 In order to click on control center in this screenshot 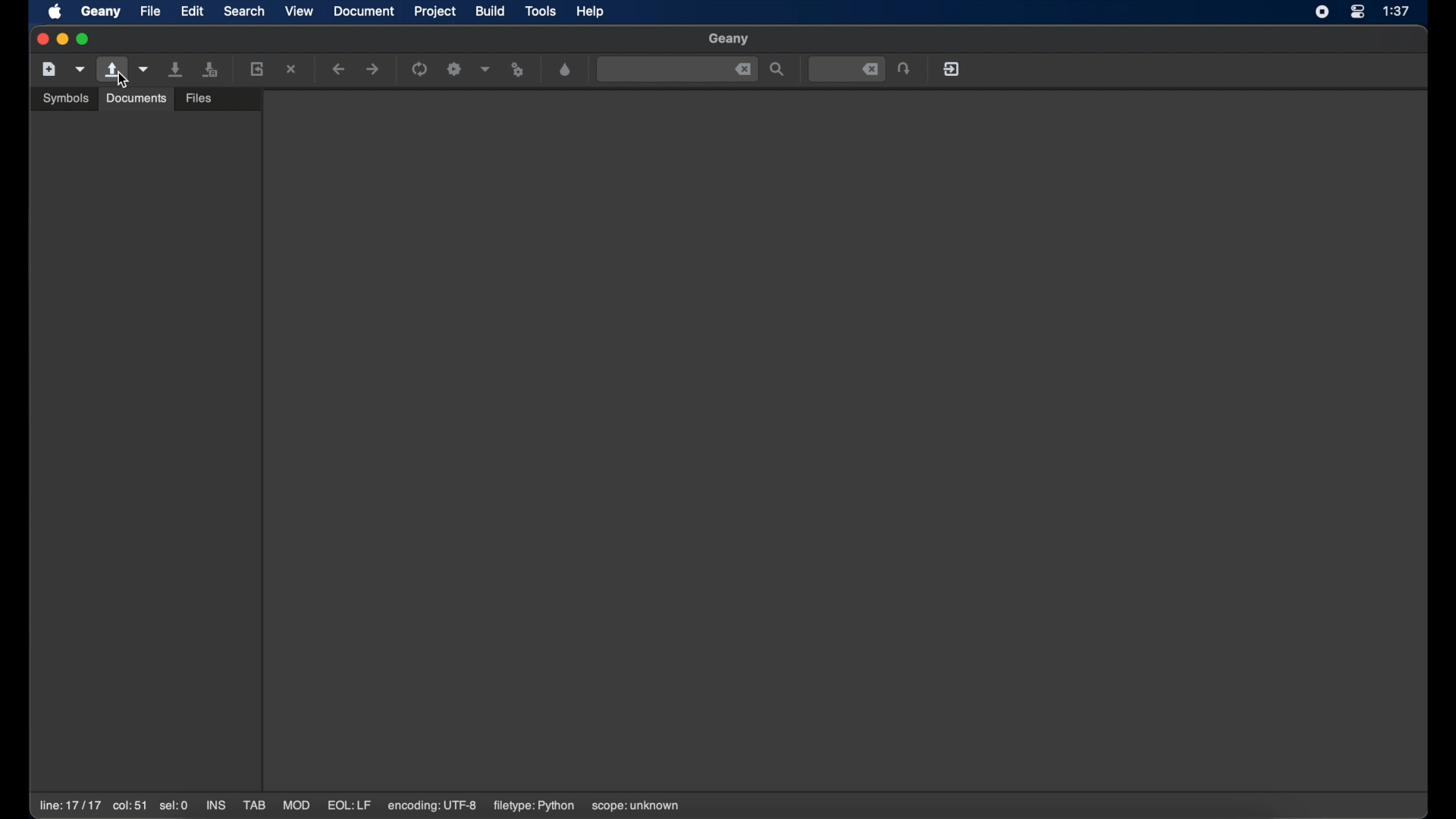, I will do `click(1357, 12)`.